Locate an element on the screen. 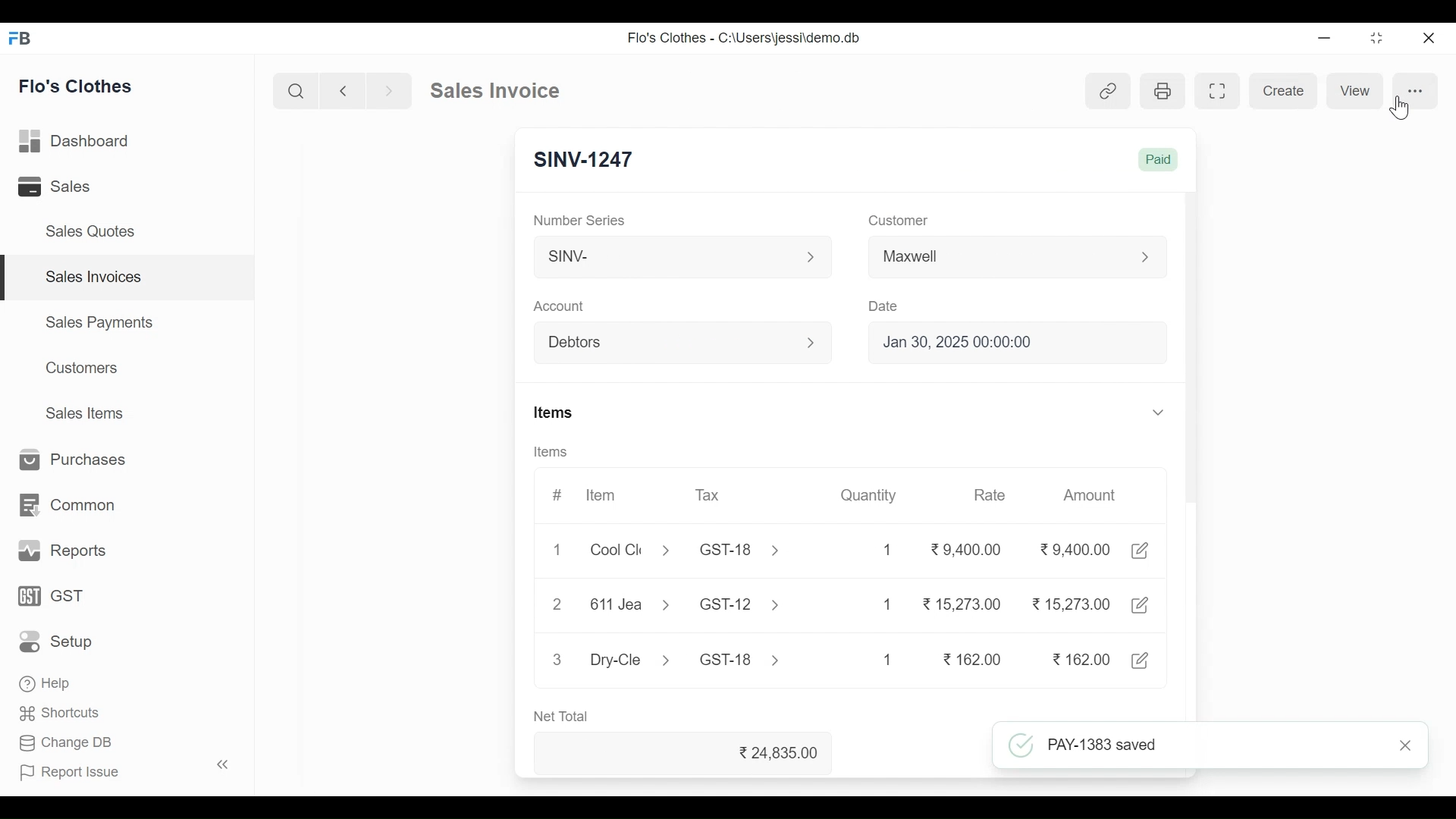  Cool Cle > GST-18 > is located at coordinates (685, 549).